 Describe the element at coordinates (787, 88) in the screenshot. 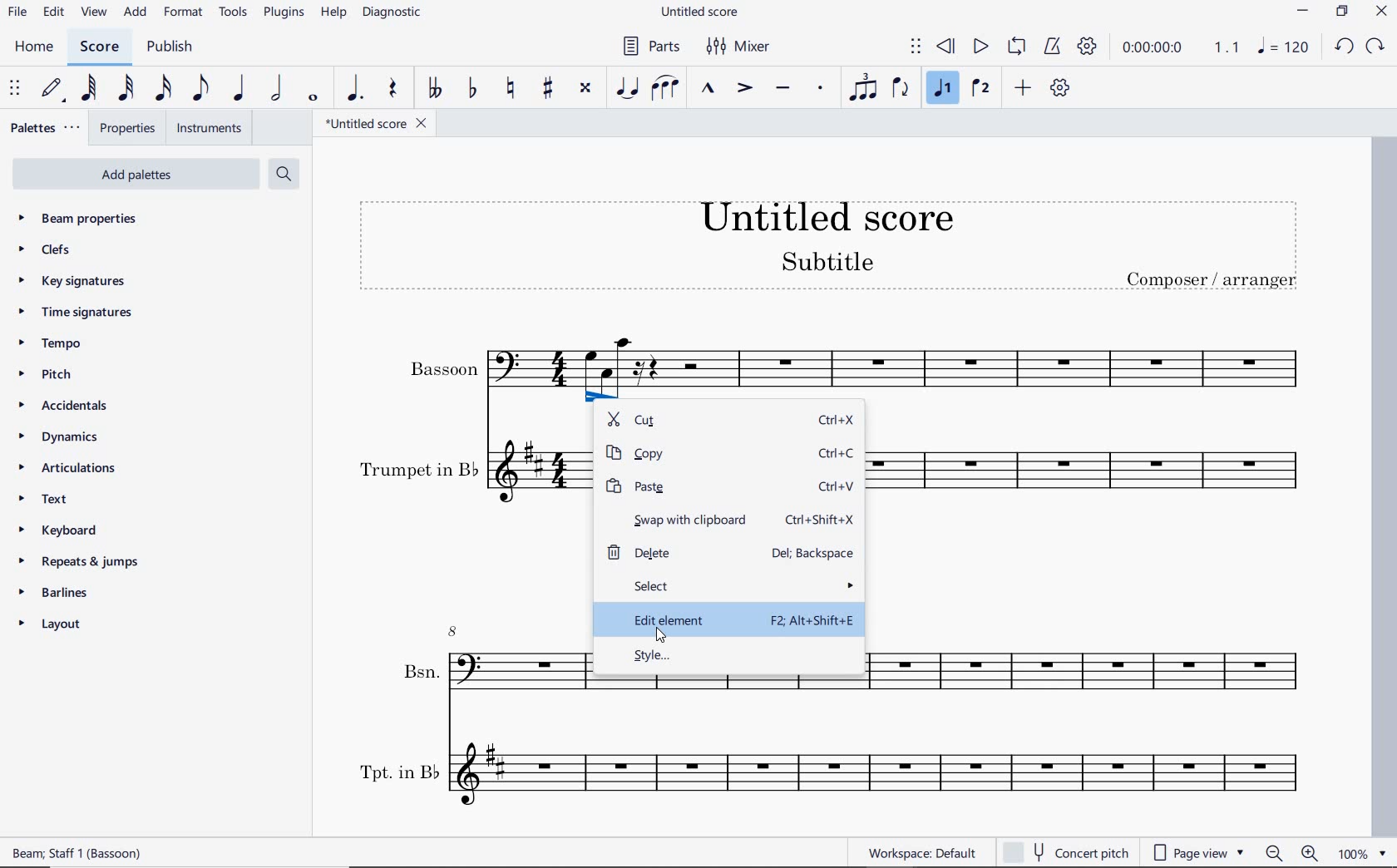

I see `tenuto` at that location.